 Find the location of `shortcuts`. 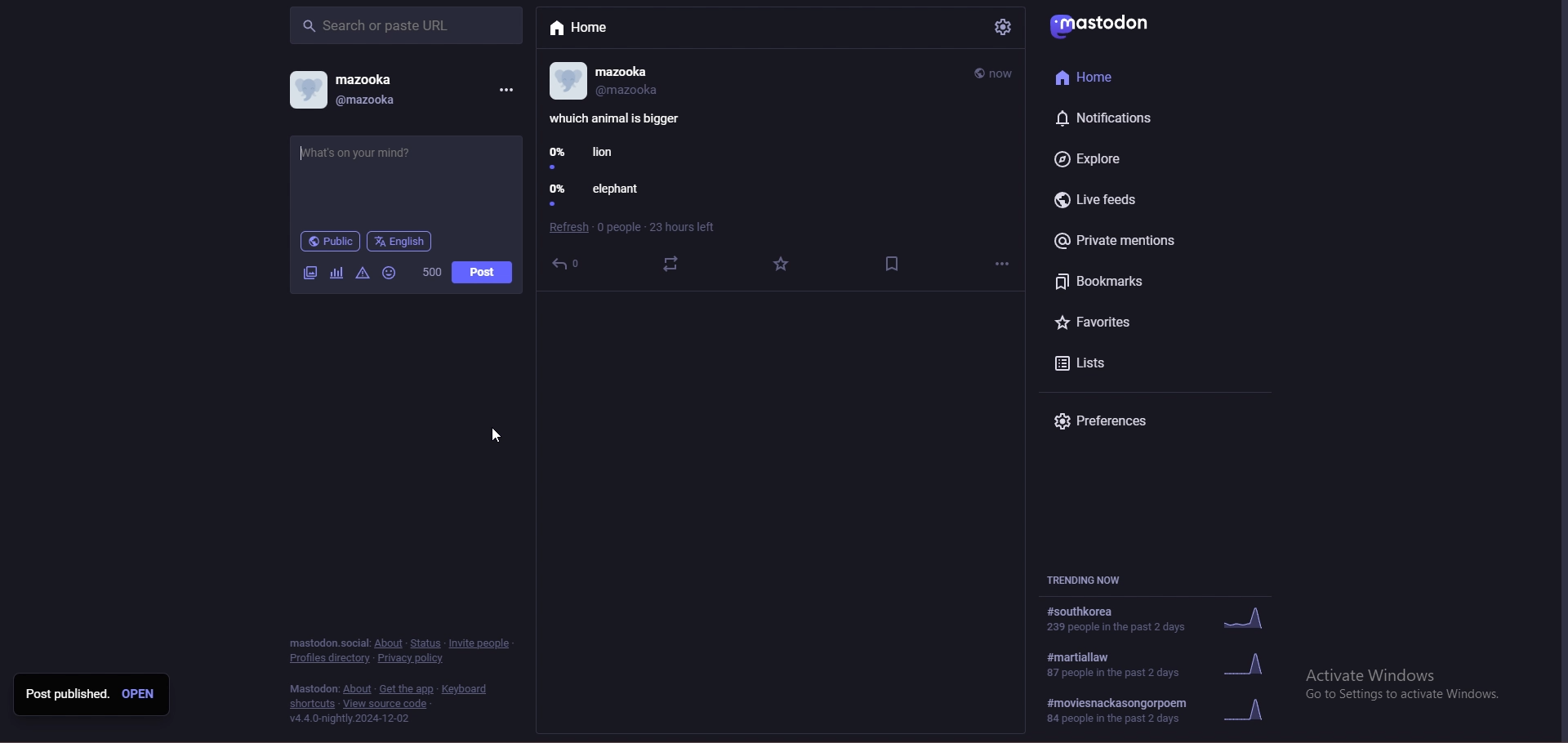

shortcuts is located at coordinates (313, 704).